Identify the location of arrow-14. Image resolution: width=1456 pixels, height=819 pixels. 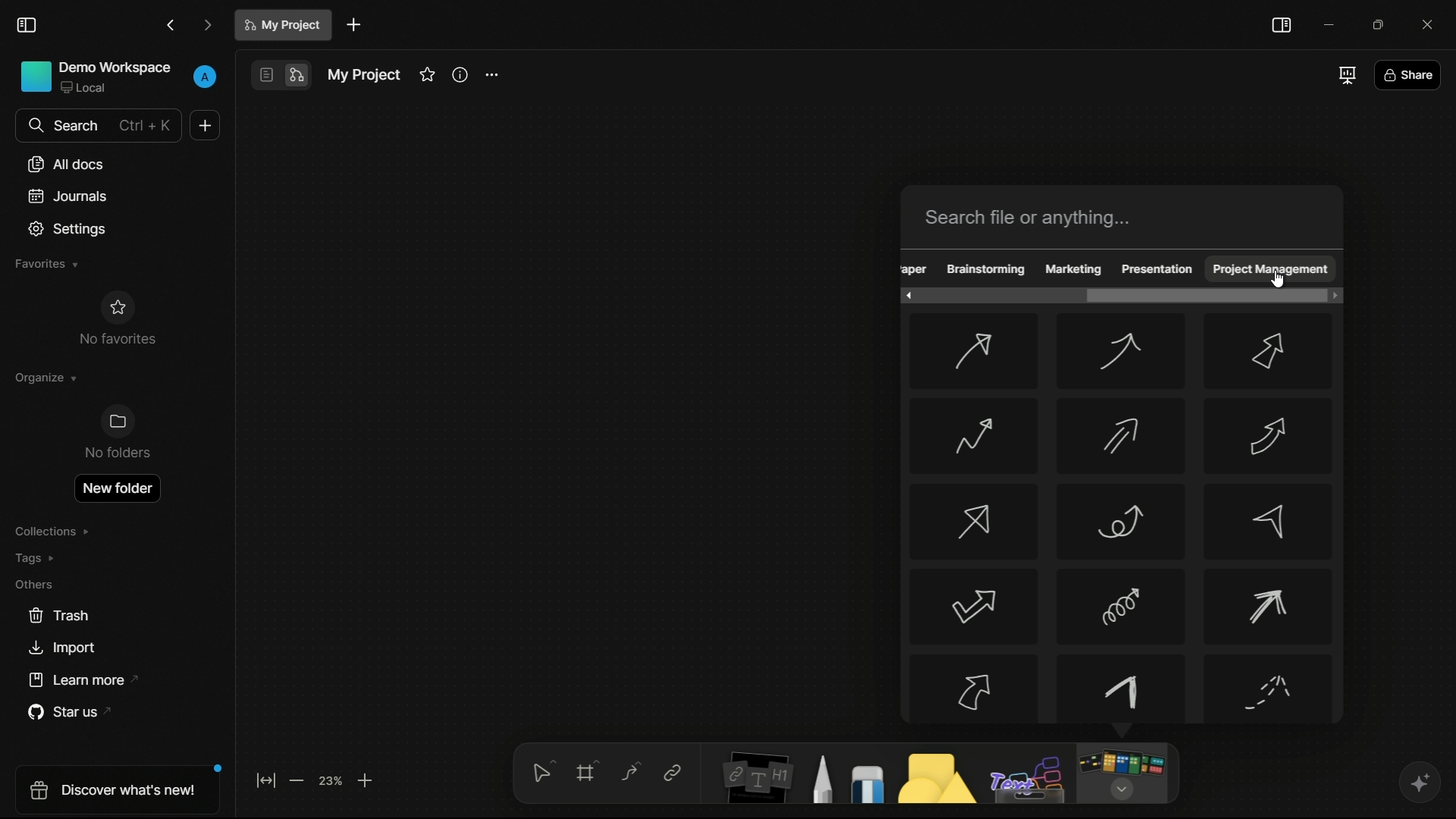
(1122, 689).